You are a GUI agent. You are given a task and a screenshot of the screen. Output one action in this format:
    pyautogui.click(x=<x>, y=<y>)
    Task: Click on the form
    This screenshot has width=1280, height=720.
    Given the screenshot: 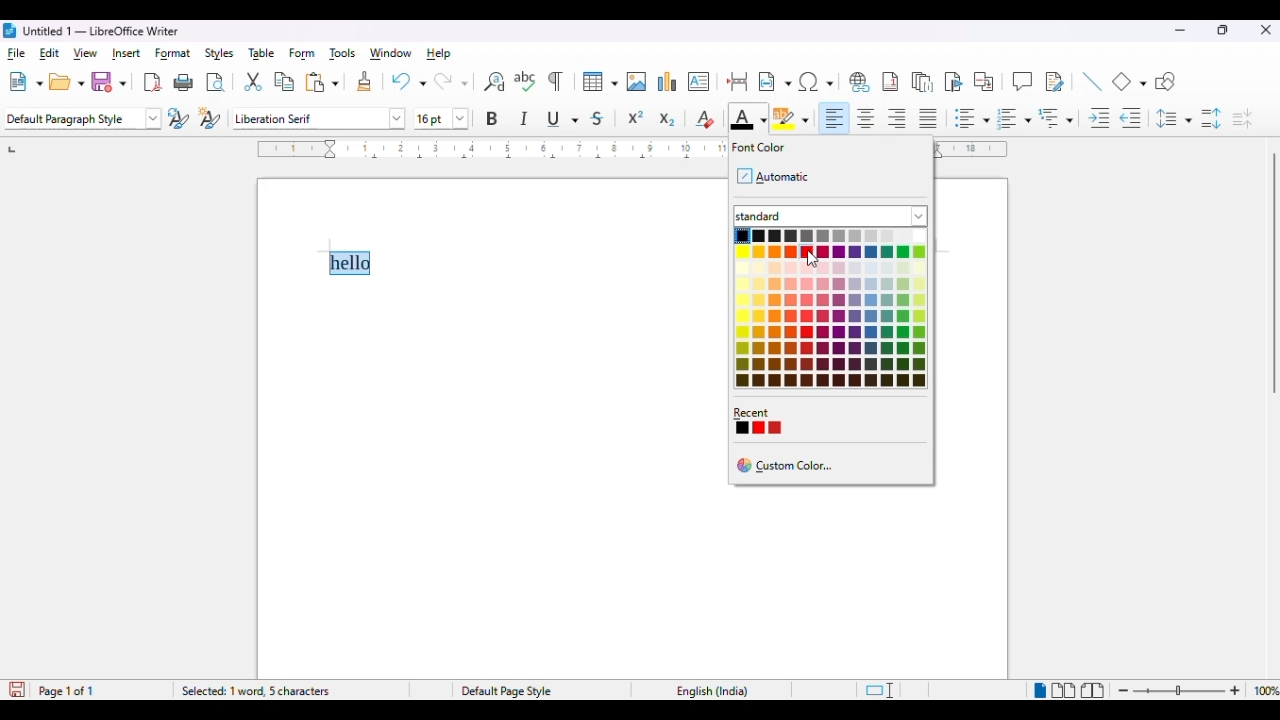 What is the action you would take?
    pyautogui.click(x=302, y=54)
    